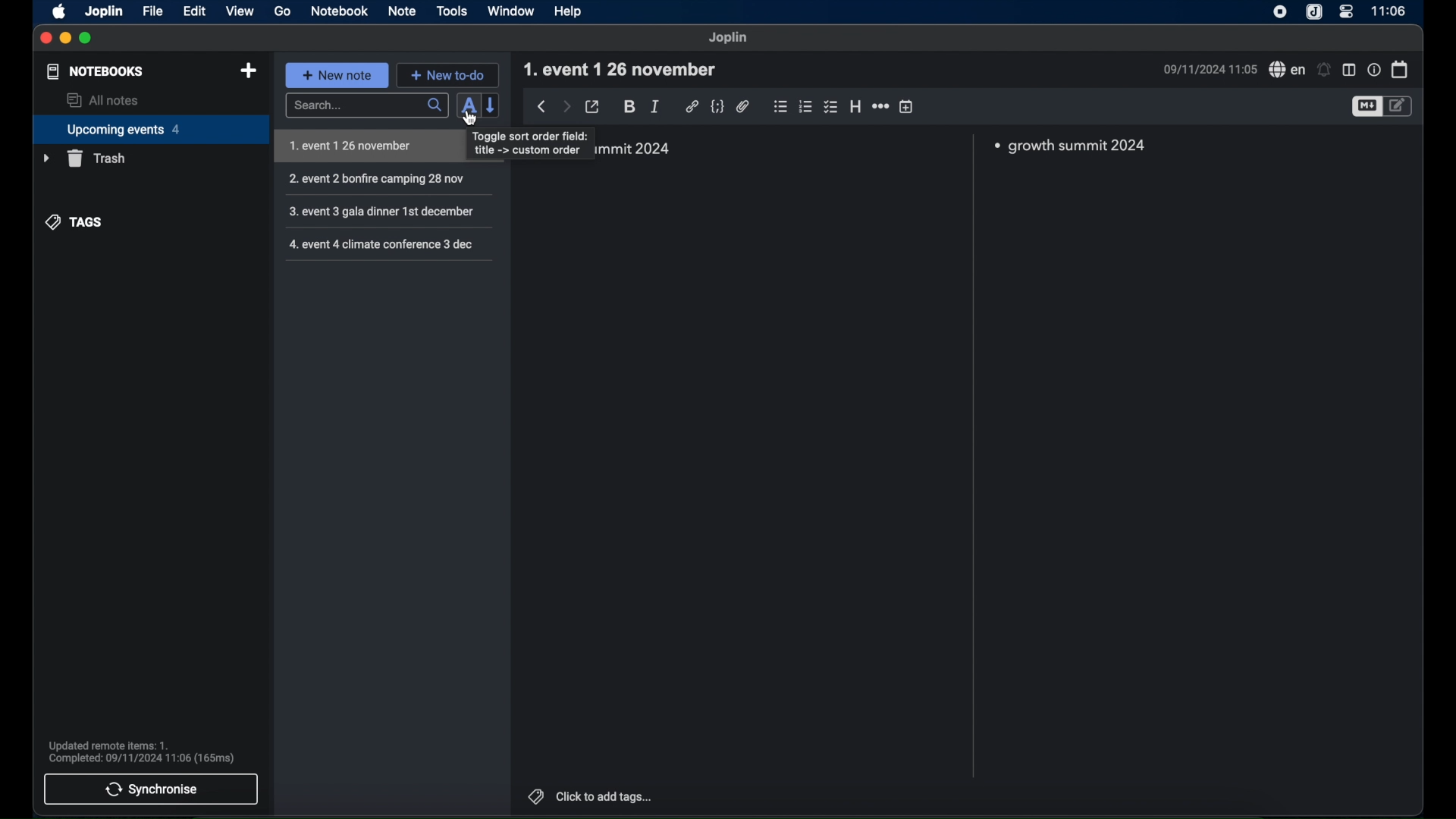  What do you see at coordinates (369, 147) in the screenshot?
I see `1. event 1 26 november` at bounding box center [369, 147].